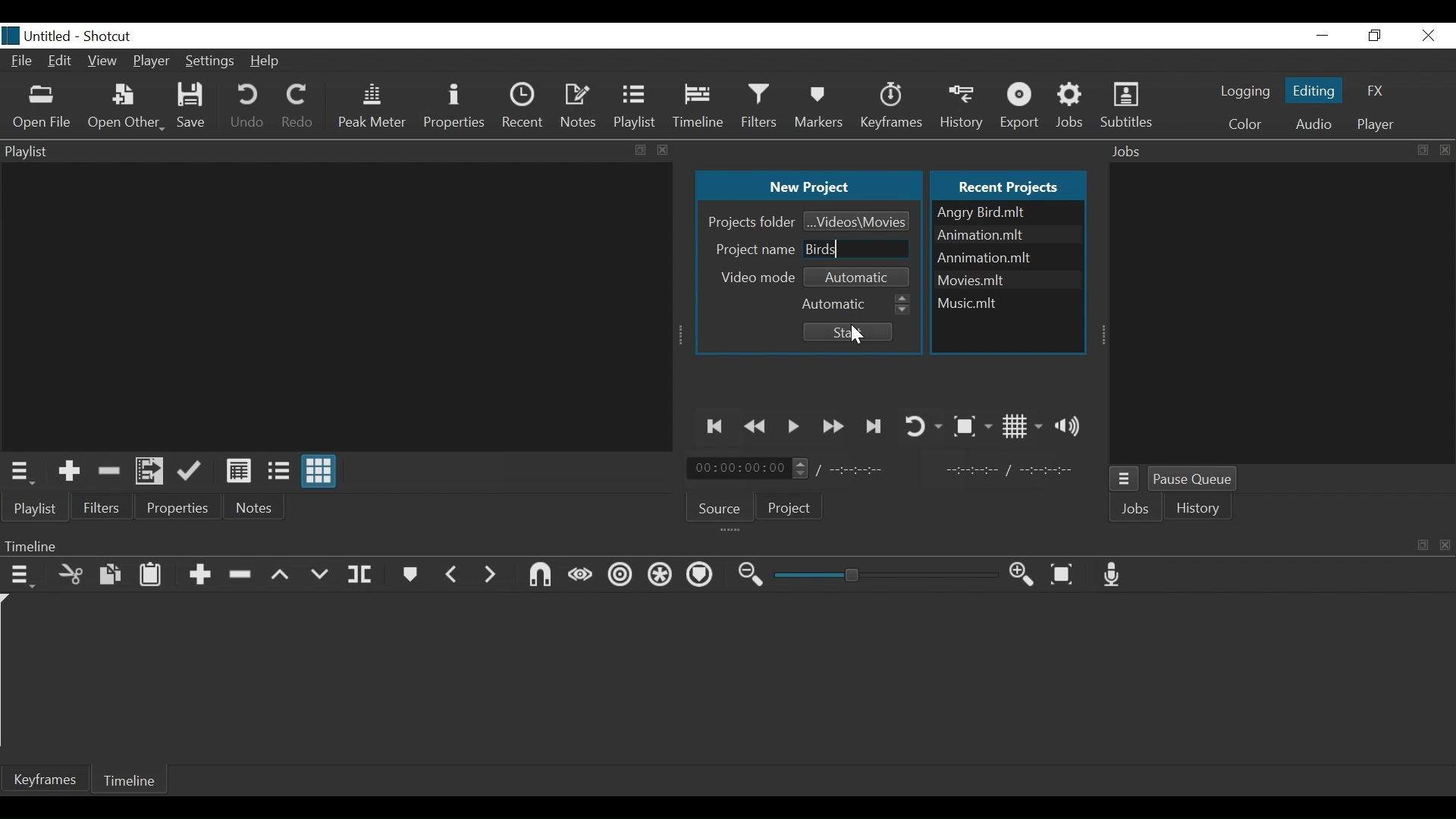 The height and width of the screenshot is (819, 1456). I want to click on Recent, so click(522, 105).